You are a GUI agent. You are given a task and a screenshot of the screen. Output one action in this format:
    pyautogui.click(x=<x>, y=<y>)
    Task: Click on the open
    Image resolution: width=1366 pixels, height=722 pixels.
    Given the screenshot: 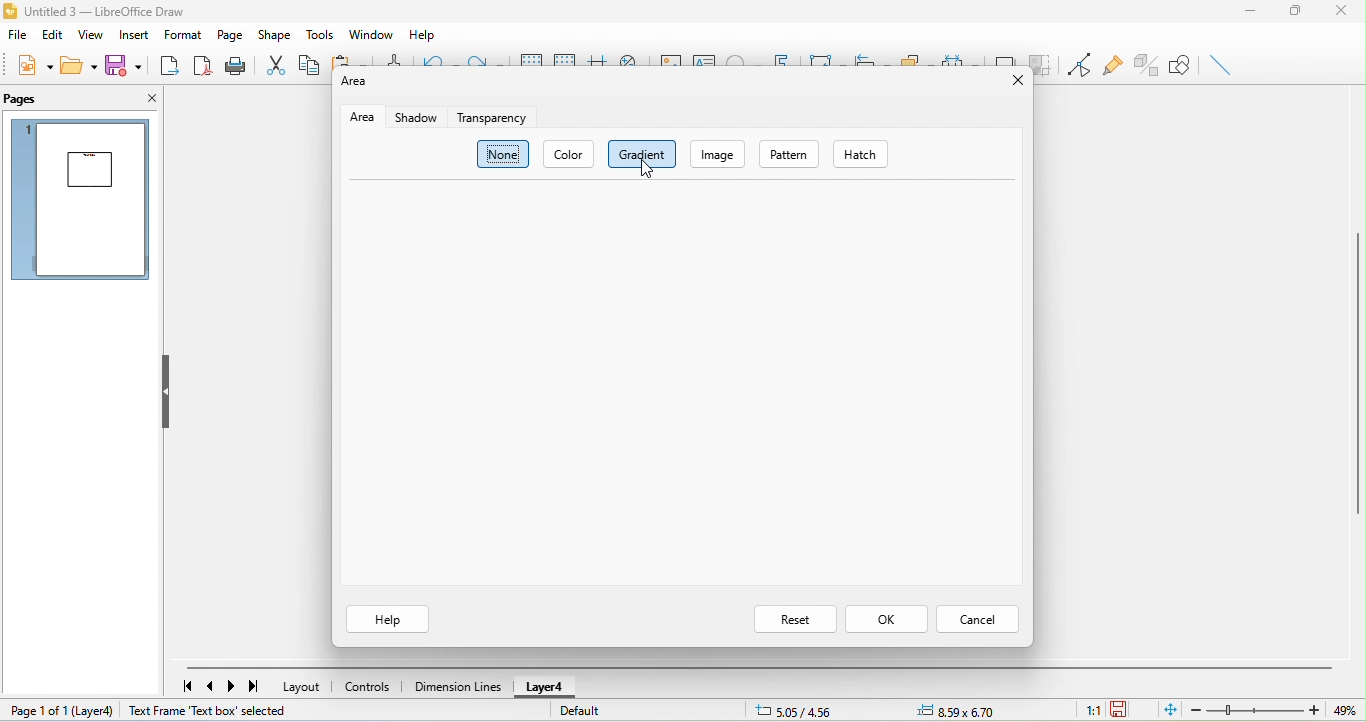 What is the action you would take?
    pyautogui.click(x=81, y=64)
    